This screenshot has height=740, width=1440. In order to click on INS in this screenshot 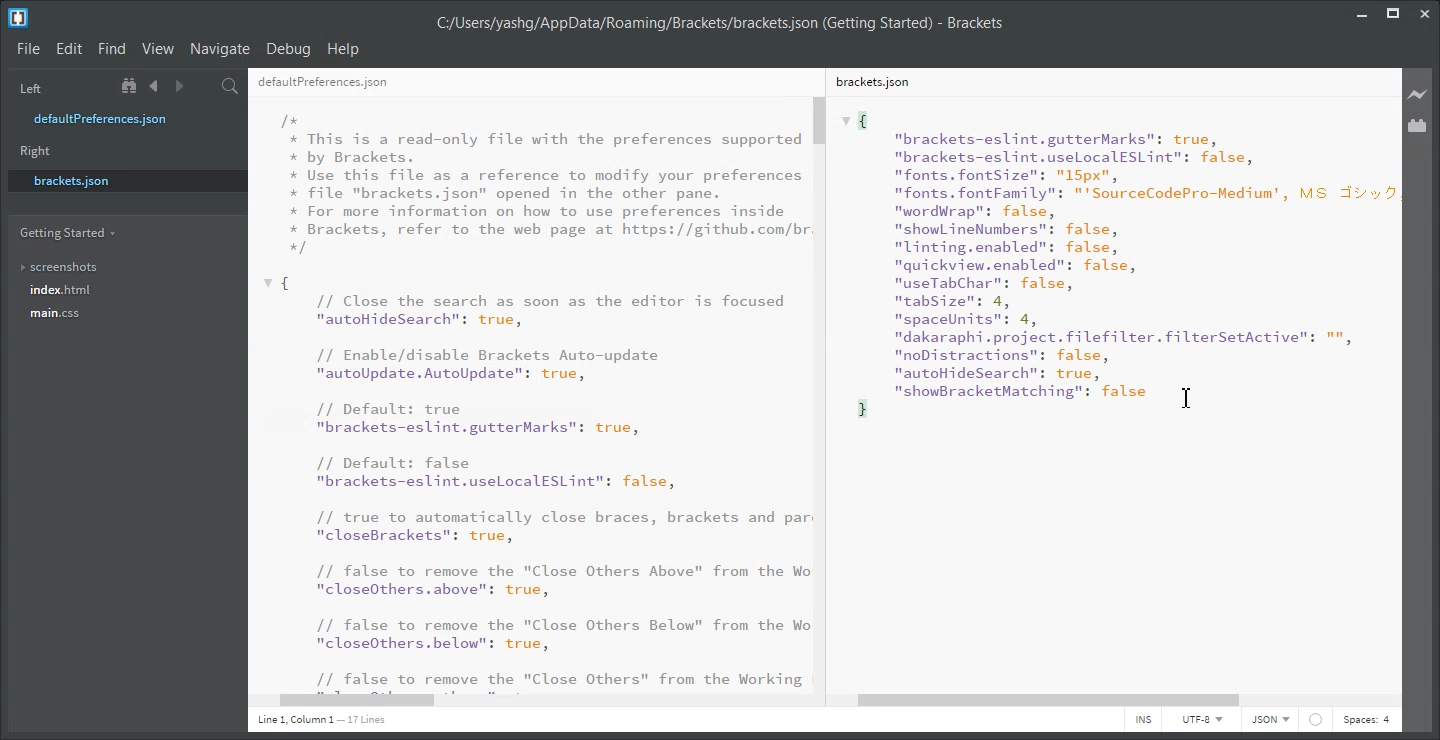, I will do `click(1143, 720)`.